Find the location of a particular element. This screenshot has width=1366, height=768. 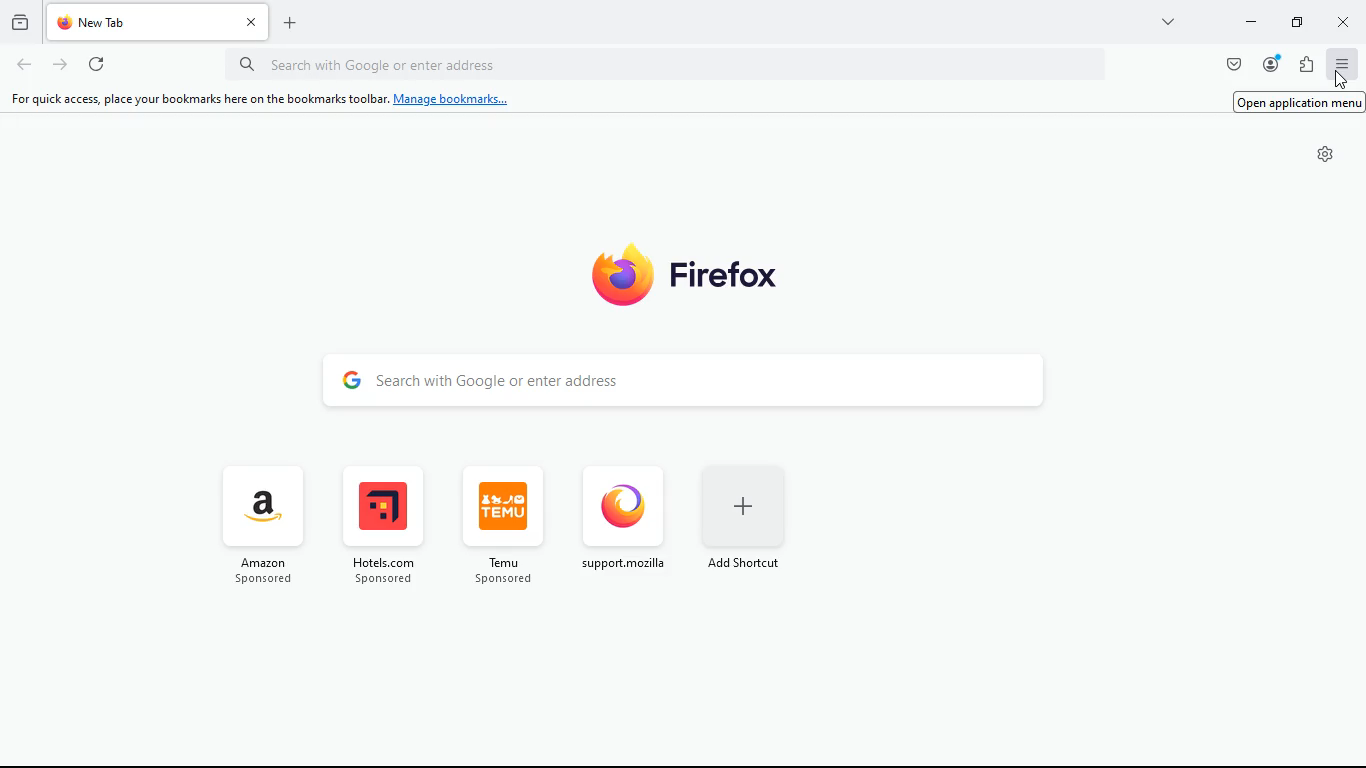

Search with Google or enter address is located at coordinates (663, 64).